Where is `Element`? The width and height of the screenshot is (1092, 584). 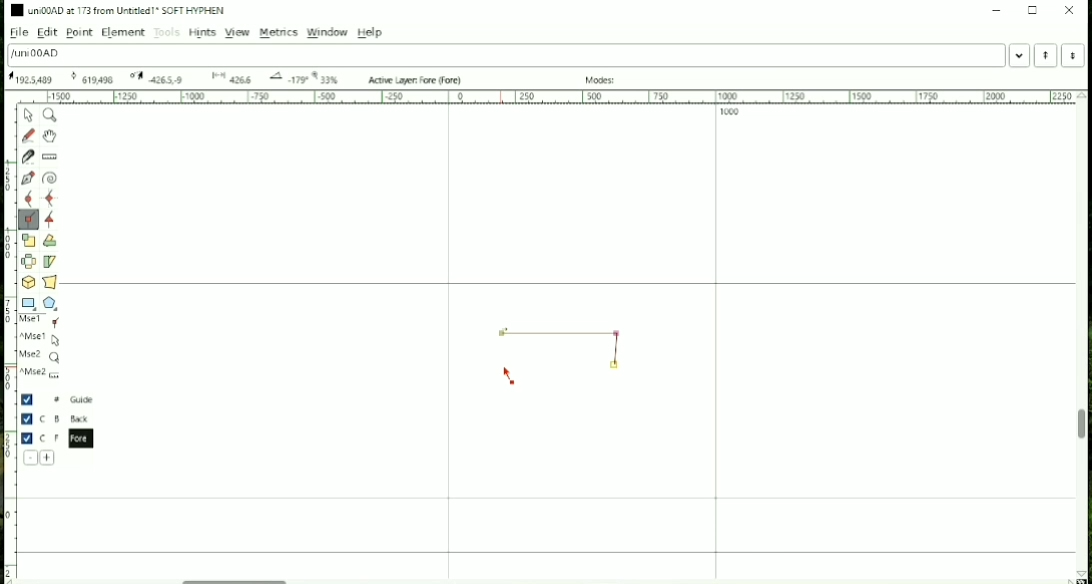
Element is located at coordinates (122, 33).